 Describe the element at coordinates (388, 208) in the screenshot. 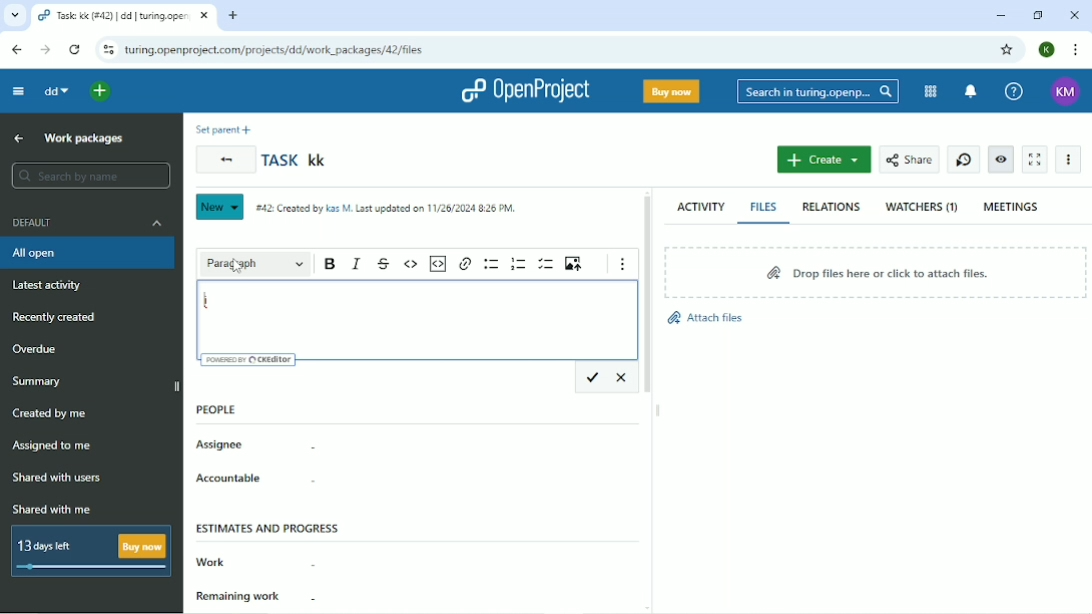

I see `#42: Created by Kas M. Last updated on 11/26/2024 8:26 PM` at that location.